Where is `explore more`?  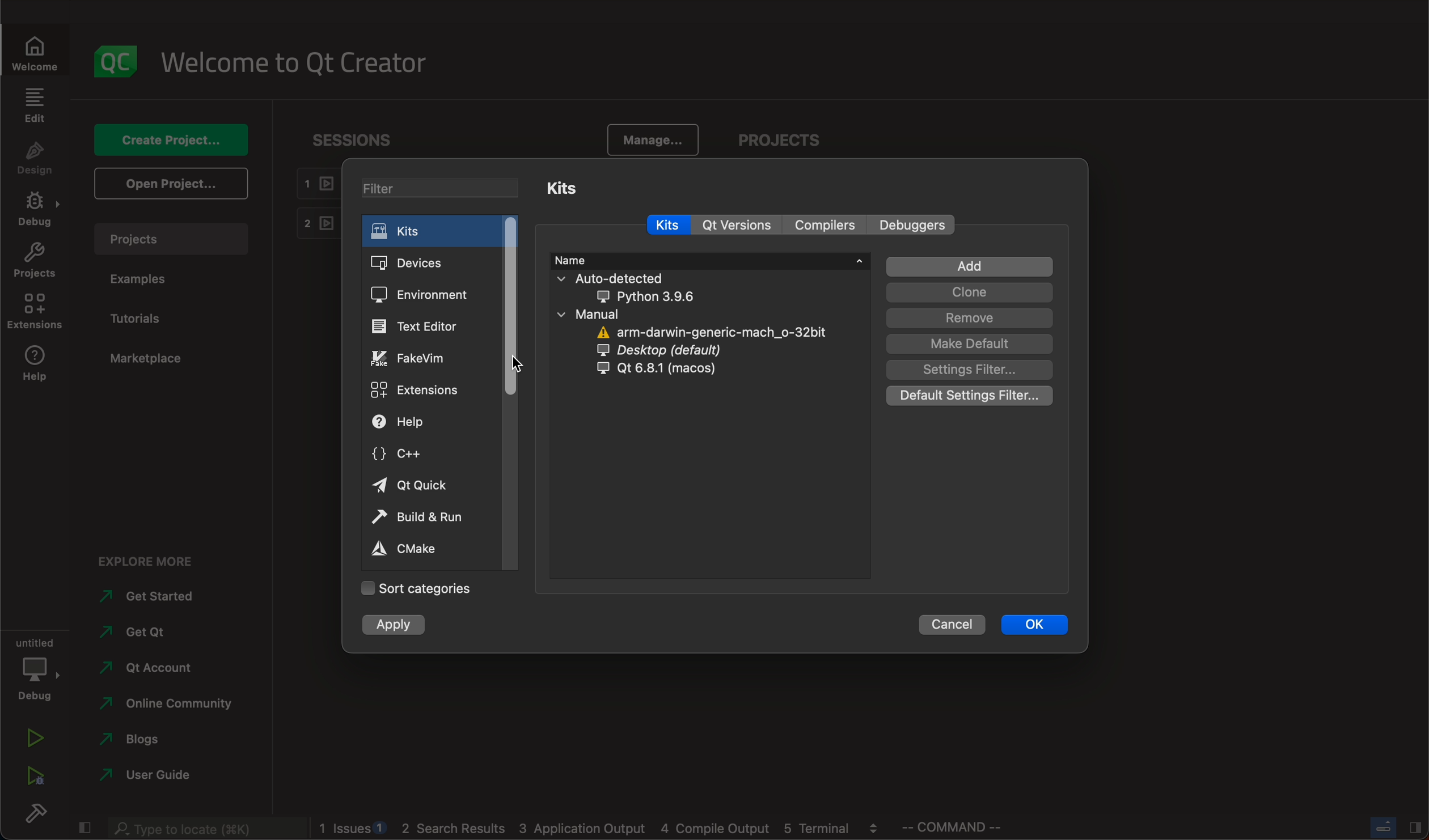 explore more is located at coordinates (157, 559).